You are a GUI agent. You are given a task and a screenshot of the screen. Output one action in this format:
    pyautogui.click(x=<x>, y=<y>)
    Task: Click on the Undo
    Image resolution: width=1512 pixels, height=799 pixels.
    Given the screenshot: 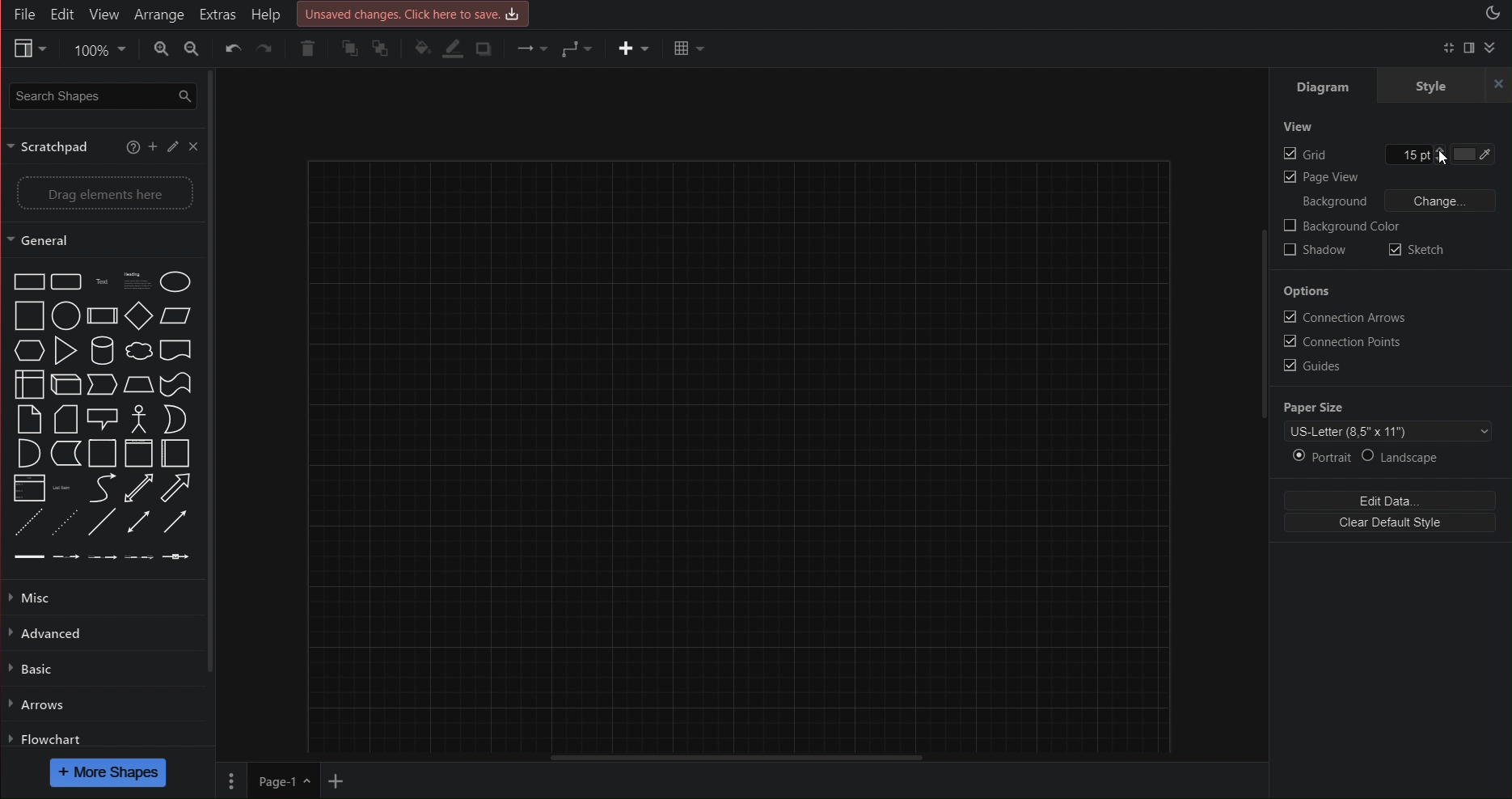 What is the action you would take?
    pyautogui.click(x=233, y=52)
    